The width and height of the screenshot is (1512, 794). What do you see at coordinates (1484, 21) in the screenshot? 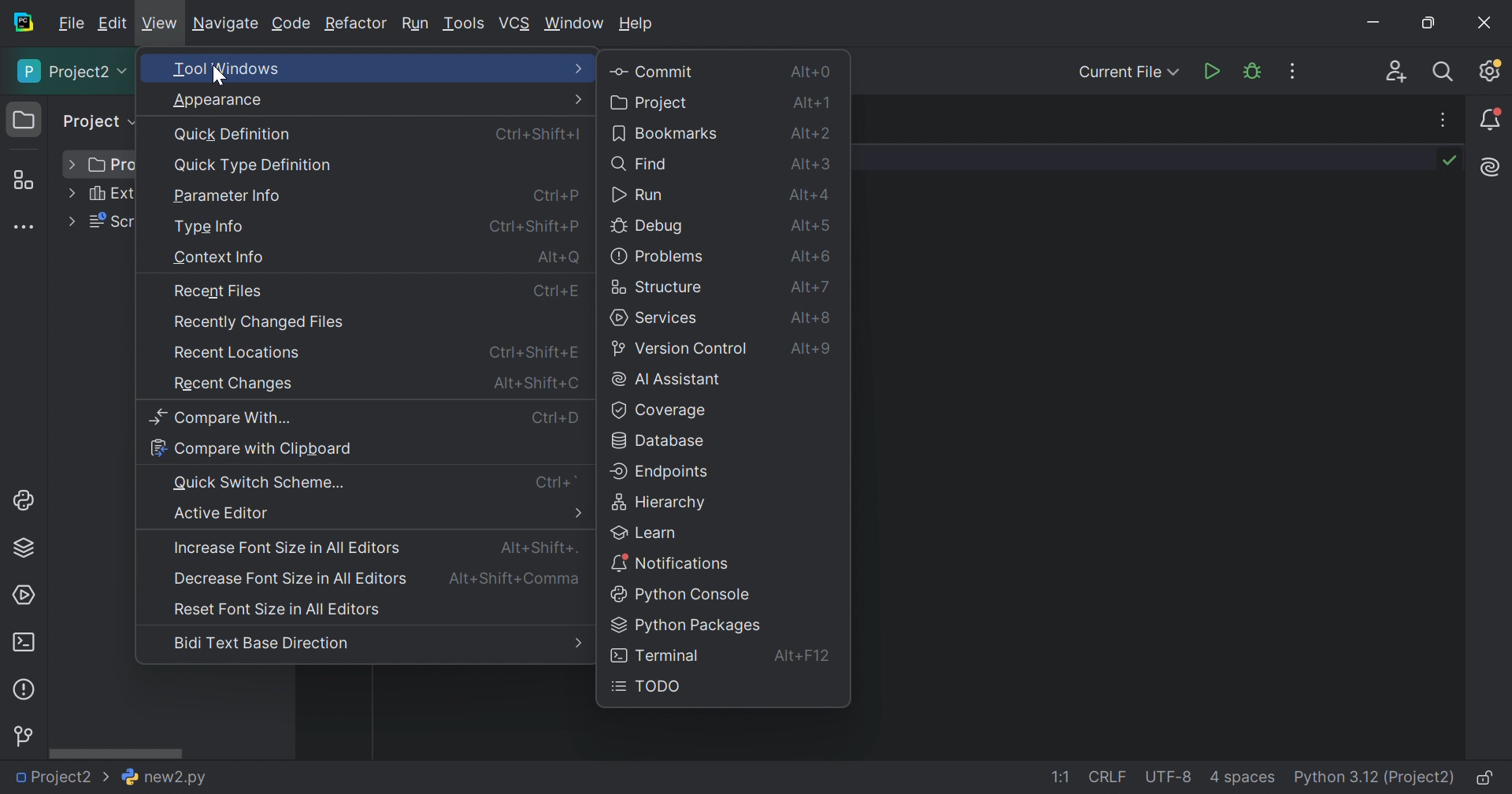
I see `Close` at bounding box center [1484, 21].